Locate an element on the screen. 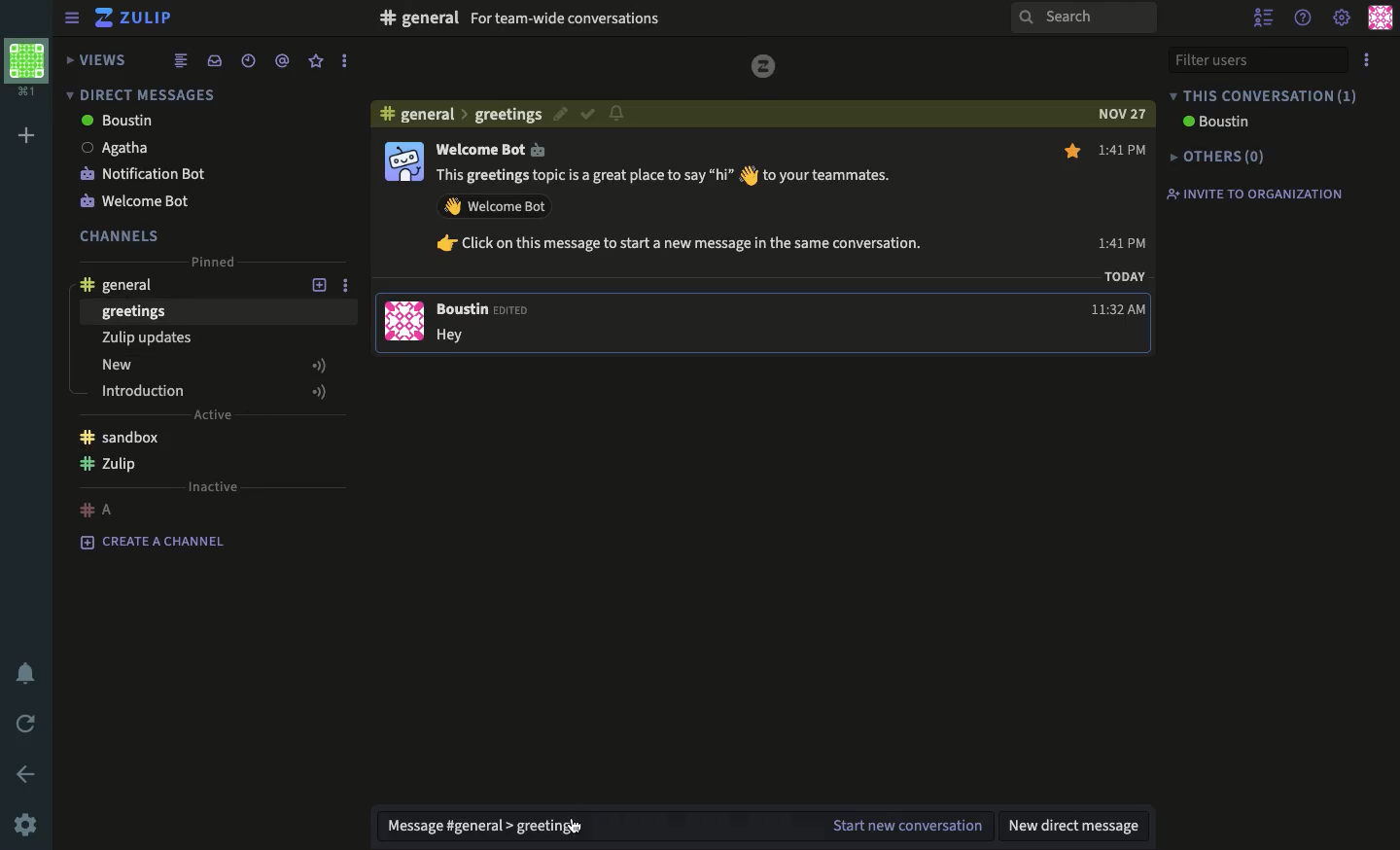 This screenshot has width=1400, height=850. pinned is located at coordinates (209, 261).